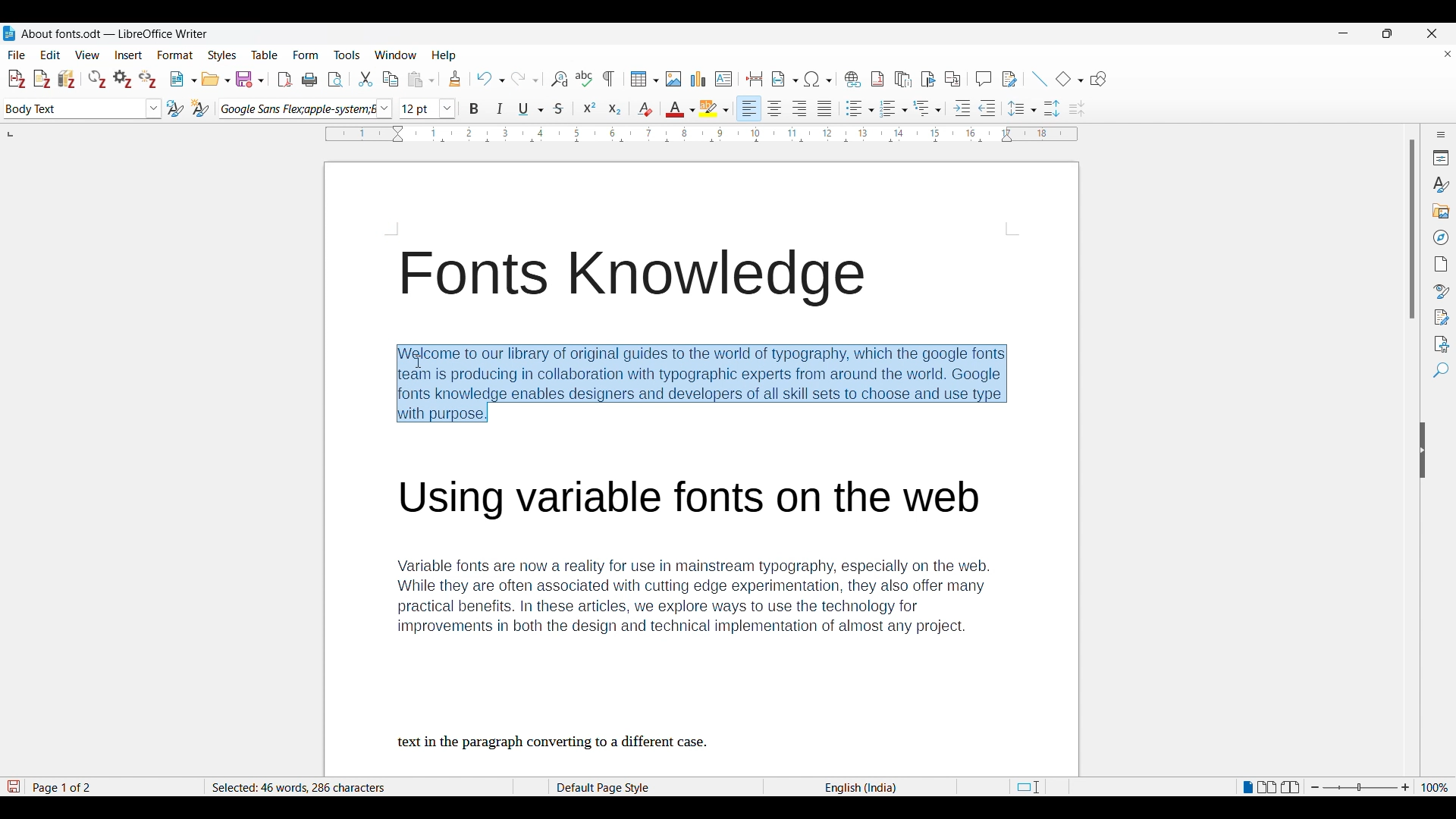 The width and height of the screenshot is (1456, 819). What do you see at coordinates (681, 108) in the screenshot?
I see `Text color options` at bounding box center [681, 108].